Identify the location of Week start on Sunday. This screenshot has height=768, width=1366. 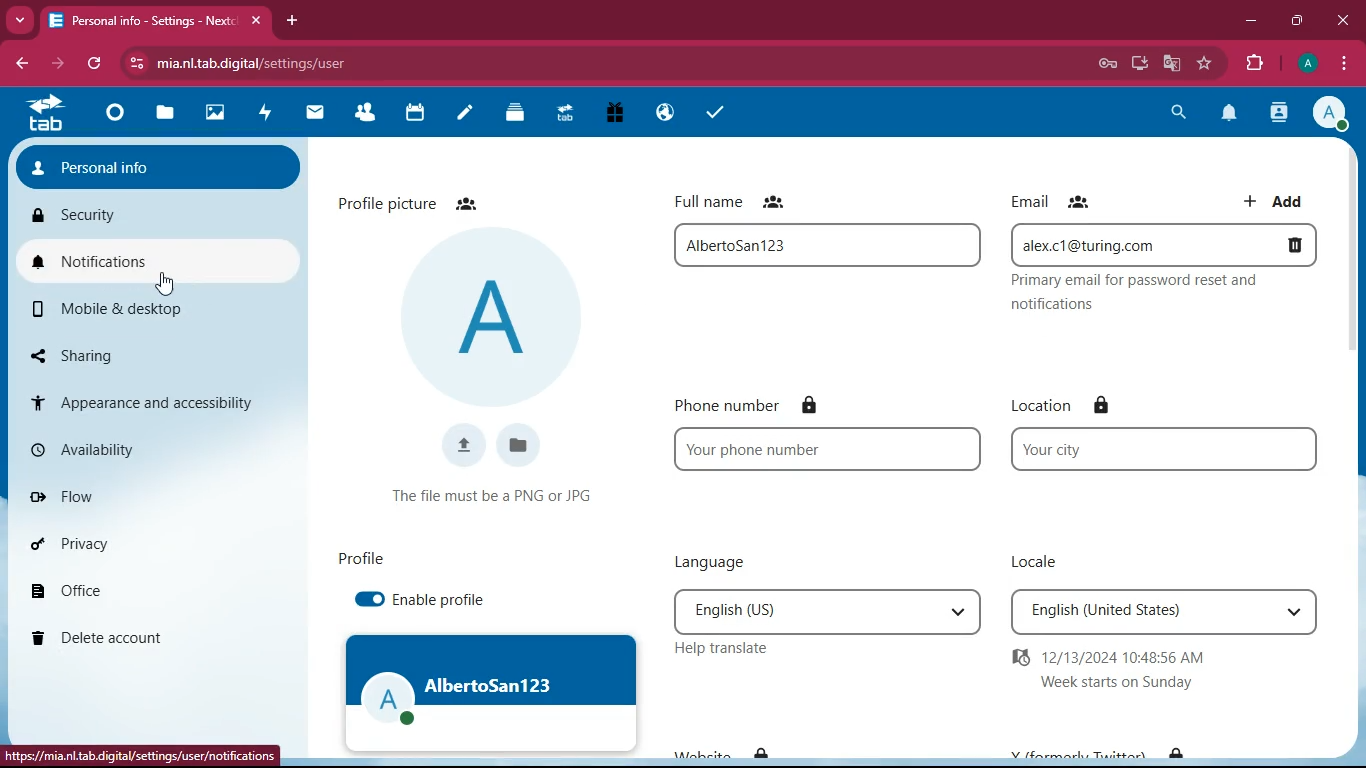
(1117, 685).